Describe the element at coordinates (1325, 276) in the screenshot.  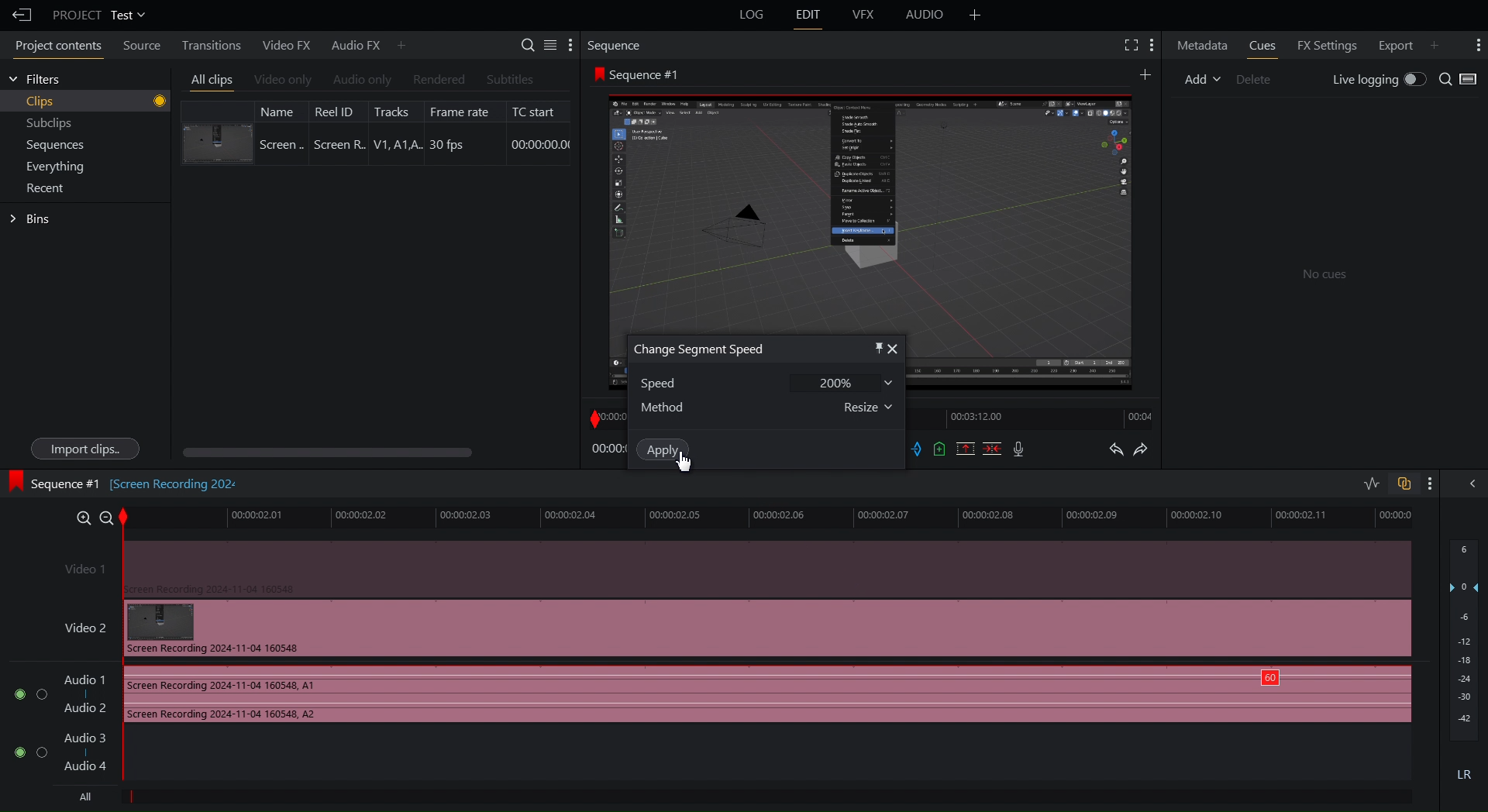
I see `No cues` at that location.